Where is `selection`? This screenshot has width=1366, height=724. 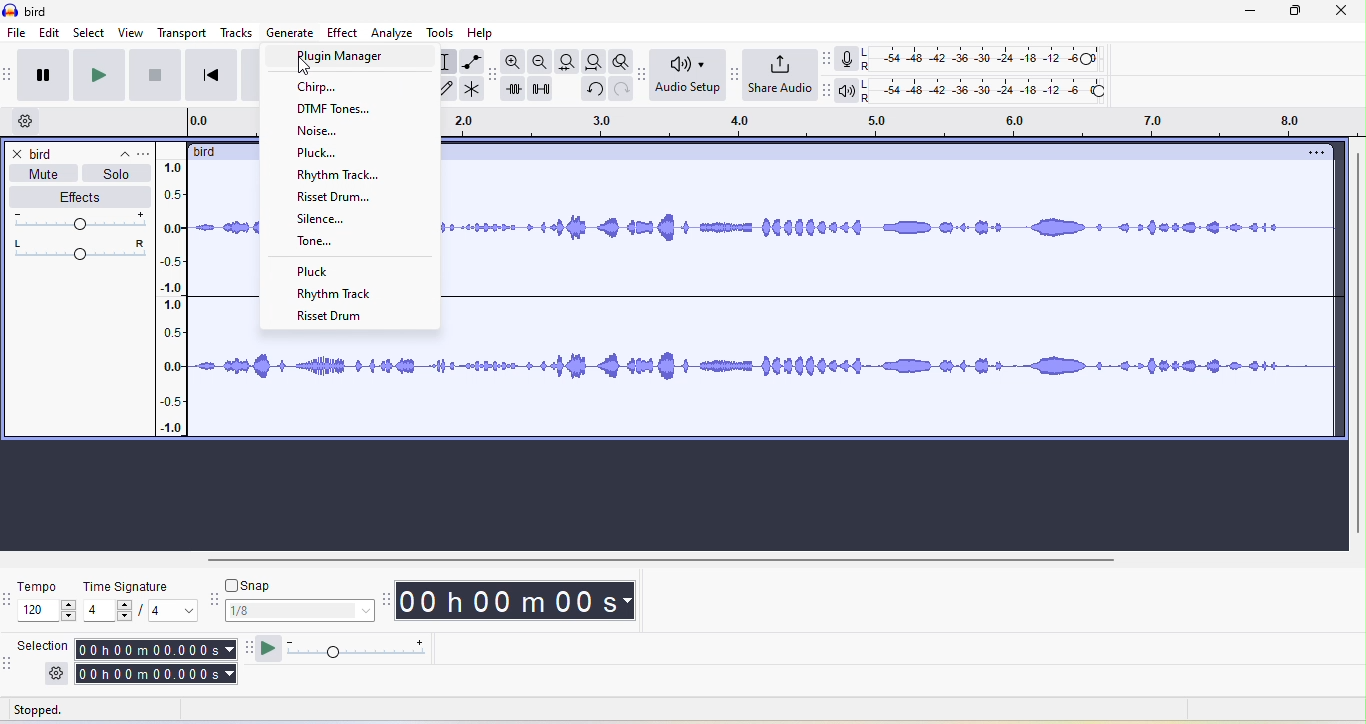
selection is located at coordinates (156, 661).